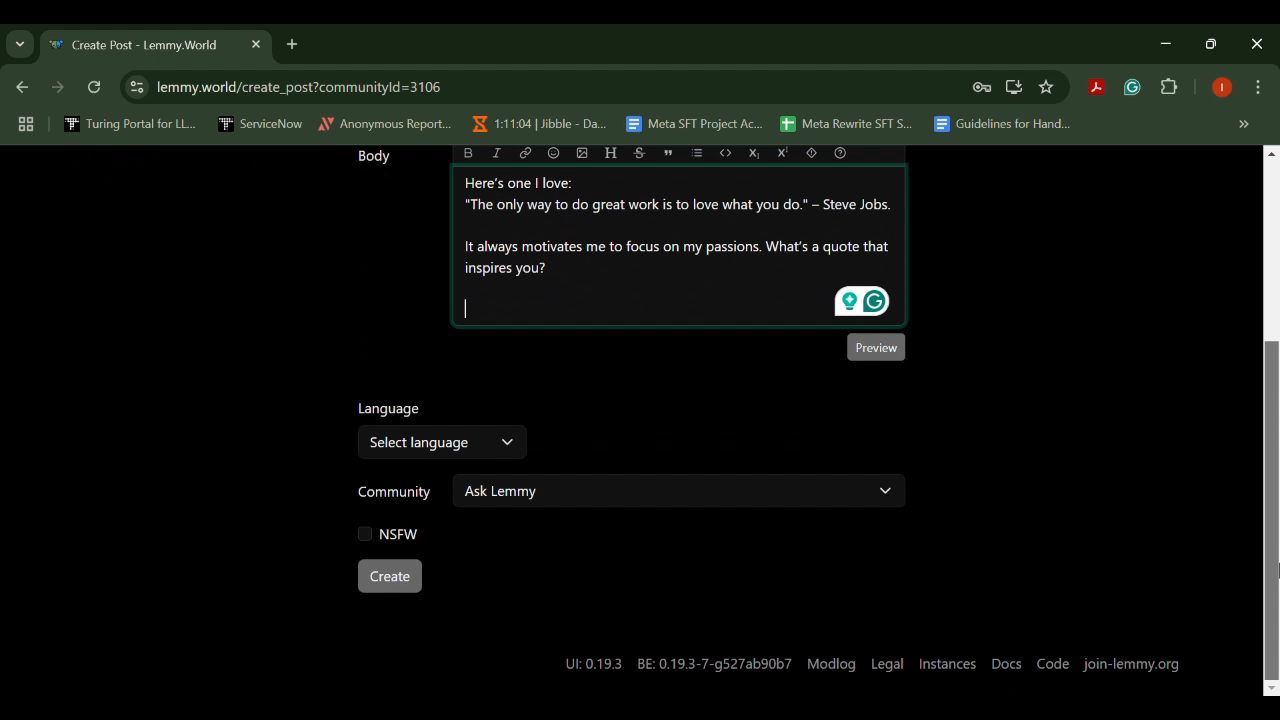 The width and height of the screenshot is (1280, 720). I want to click on Body, so click(370, 158).